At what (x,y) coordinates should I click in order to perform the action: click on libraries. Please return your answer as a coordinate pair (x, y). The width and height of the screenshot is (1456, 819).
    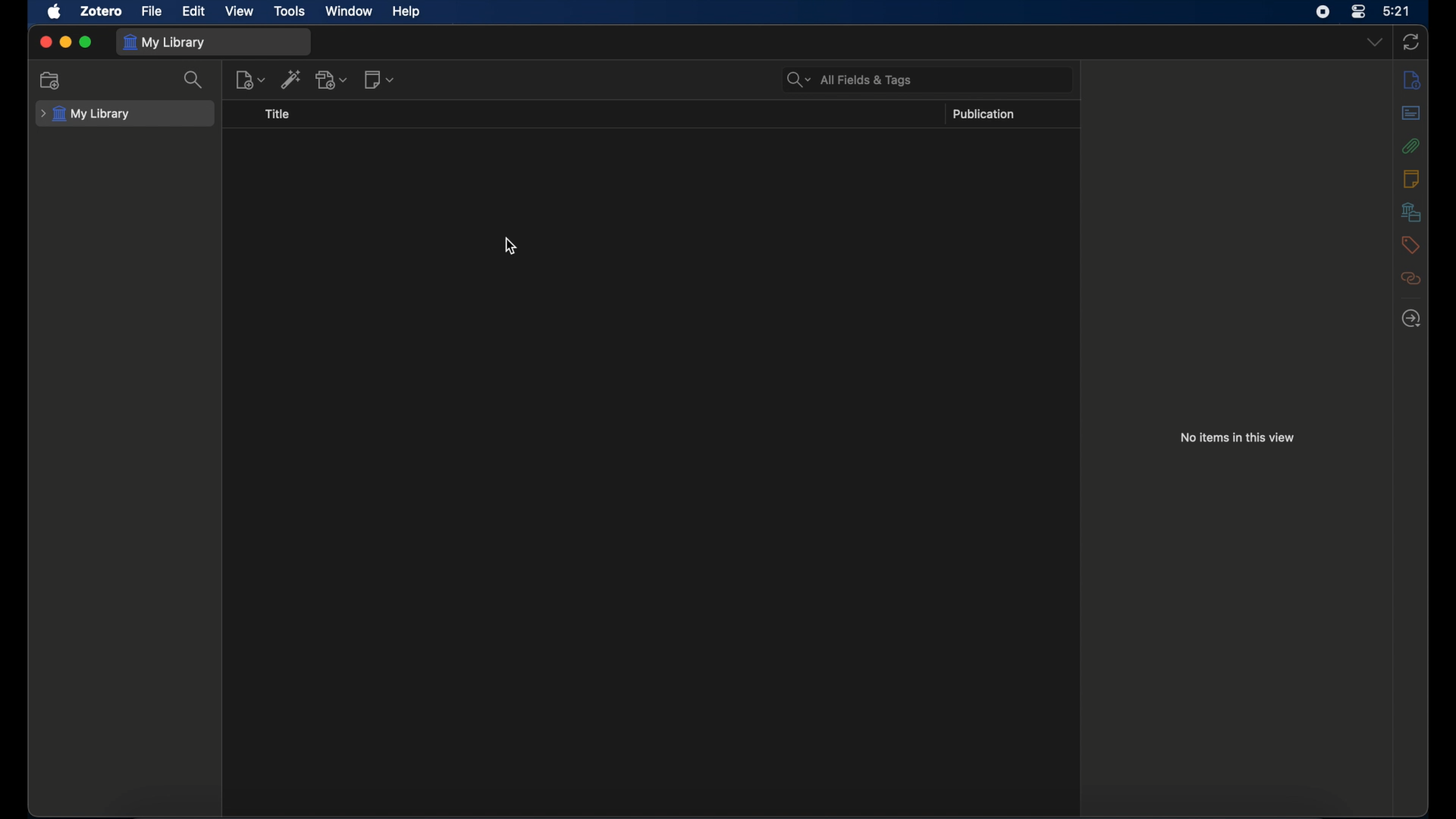
    Looking at the image, I should click on (1411, 212).